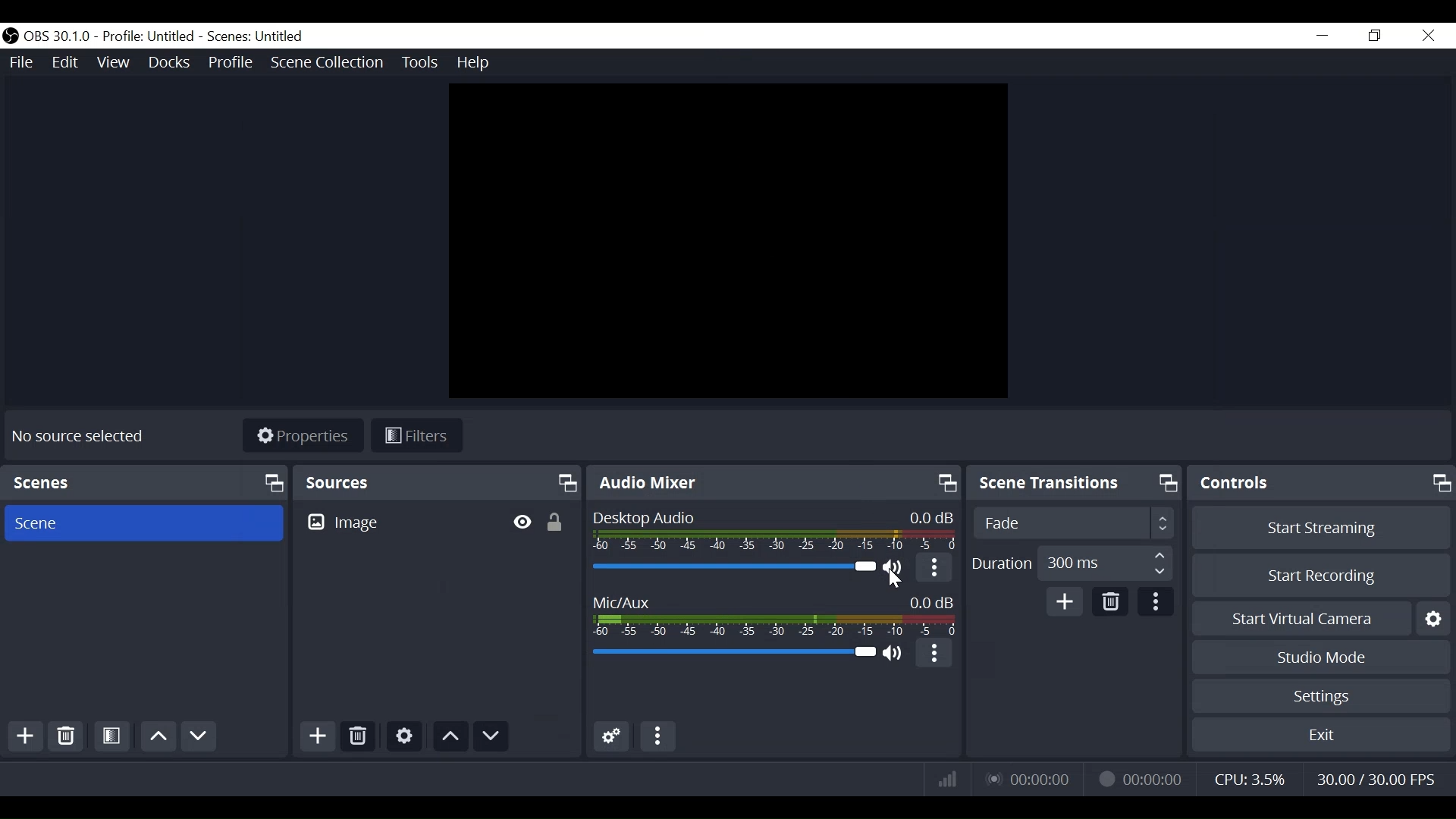  Describe the element at coordinates (111, 740) in the screenshot. I see `Open Scene Filter` at that location.